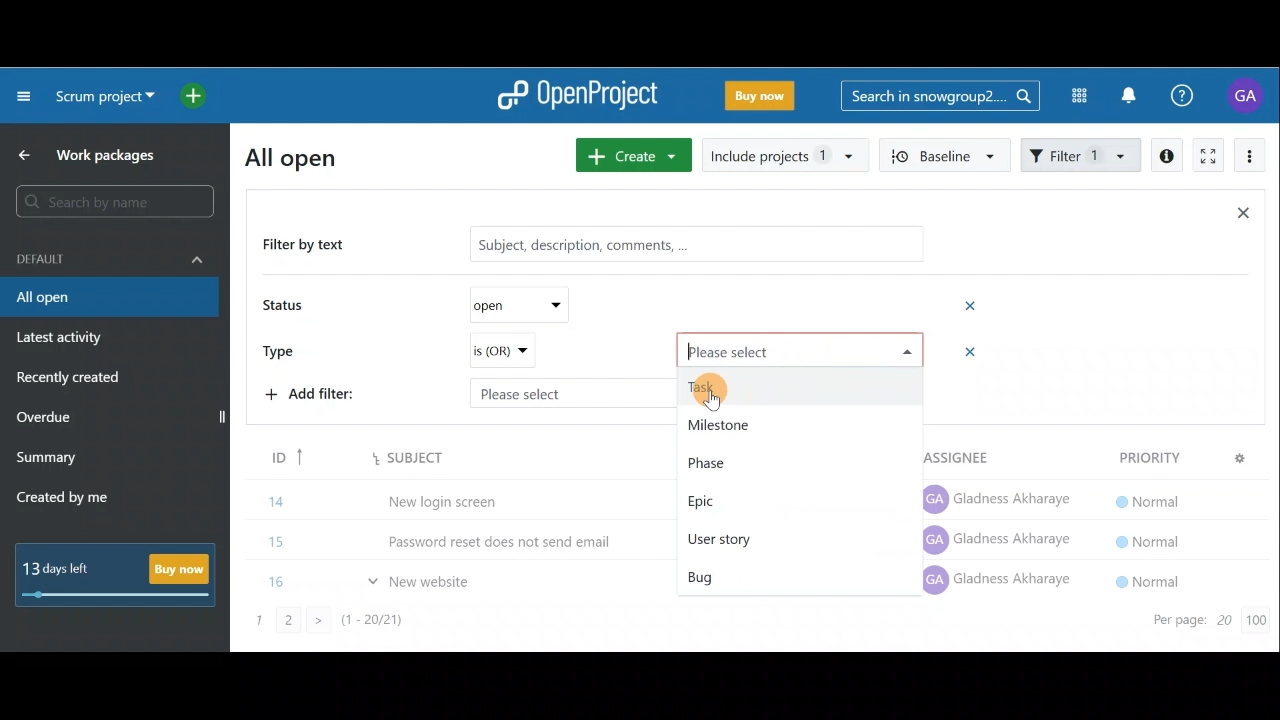 The height and width of the screenshot is (720, 1280). I want to click on Latest activity, so click(62, 340).